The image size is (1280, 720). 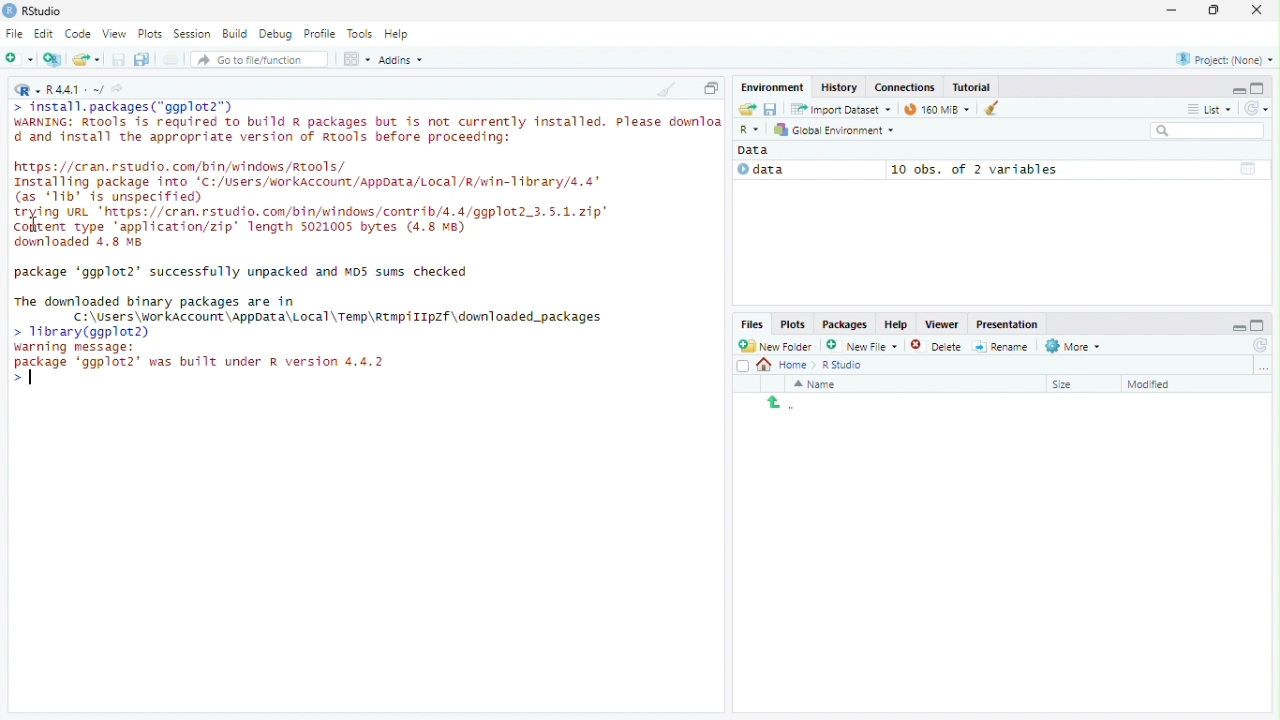 What do you see at coordinates (120, 88) in the screenshot?
I see `View current working directory` at bounding box center [120, 88].